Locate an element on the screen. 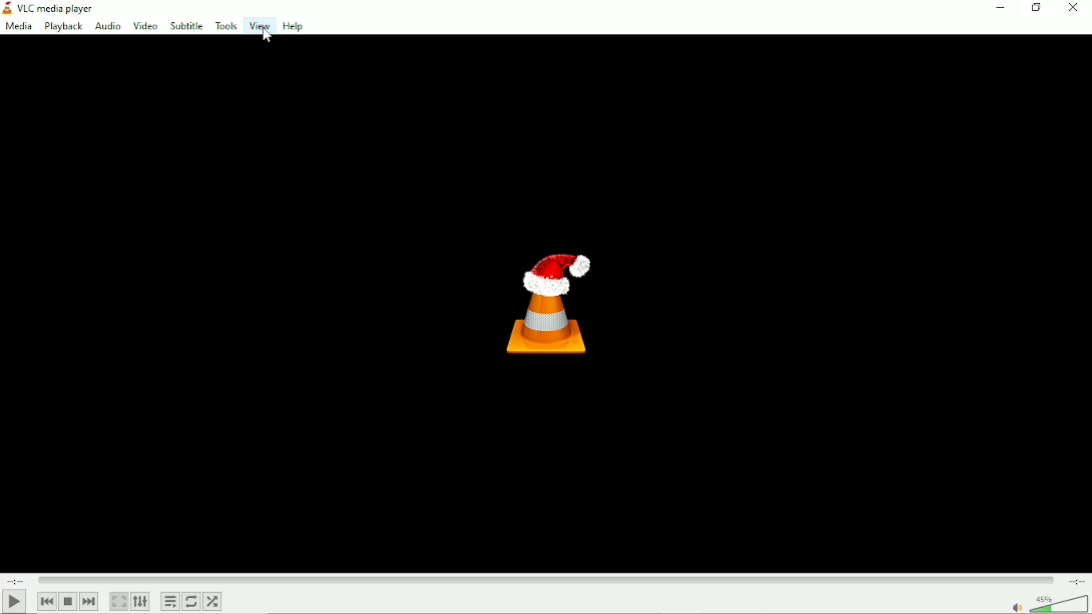  Elapsed time is located at coordinates (16, 580).